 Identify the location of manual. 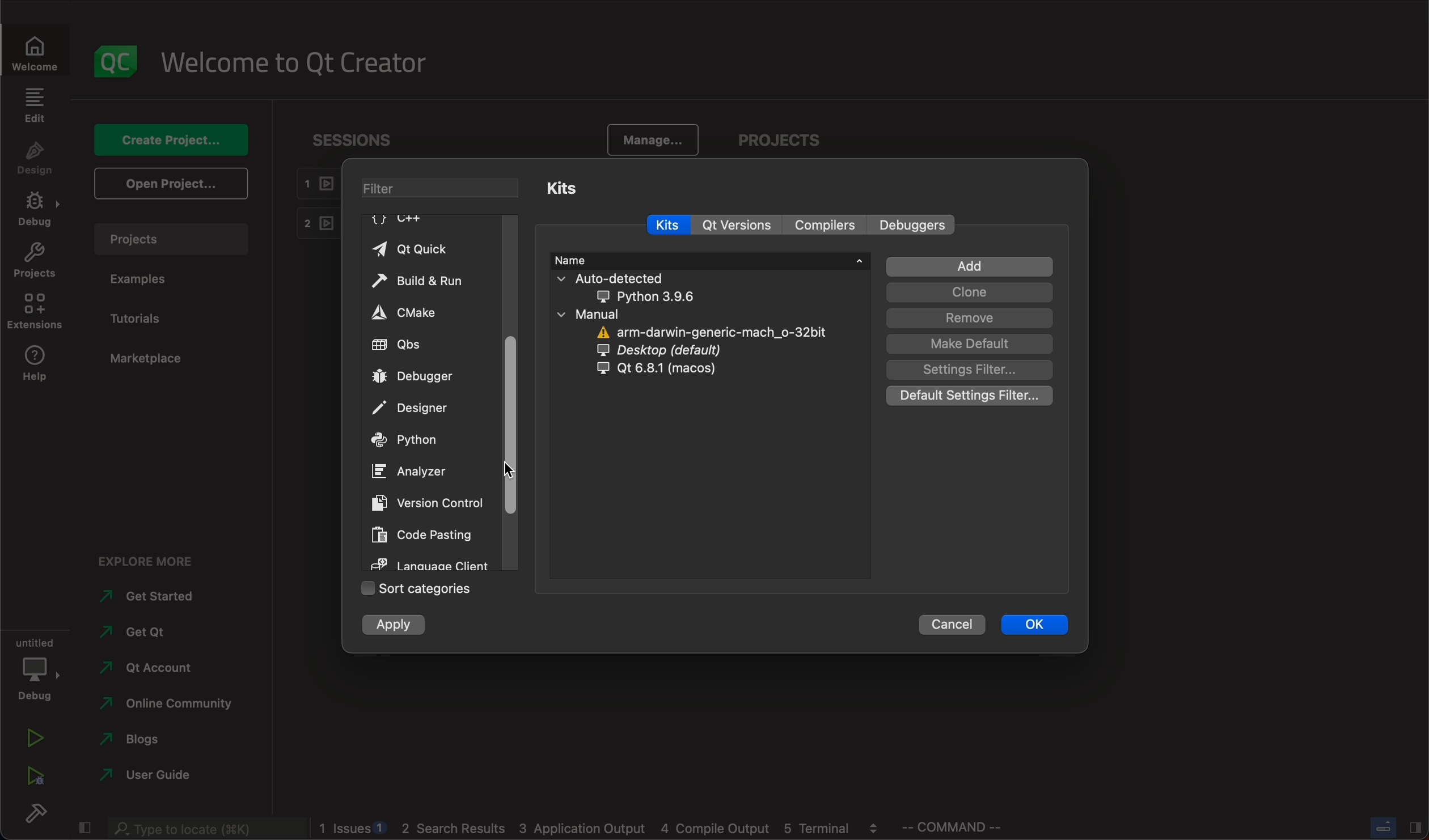
(618, 315).